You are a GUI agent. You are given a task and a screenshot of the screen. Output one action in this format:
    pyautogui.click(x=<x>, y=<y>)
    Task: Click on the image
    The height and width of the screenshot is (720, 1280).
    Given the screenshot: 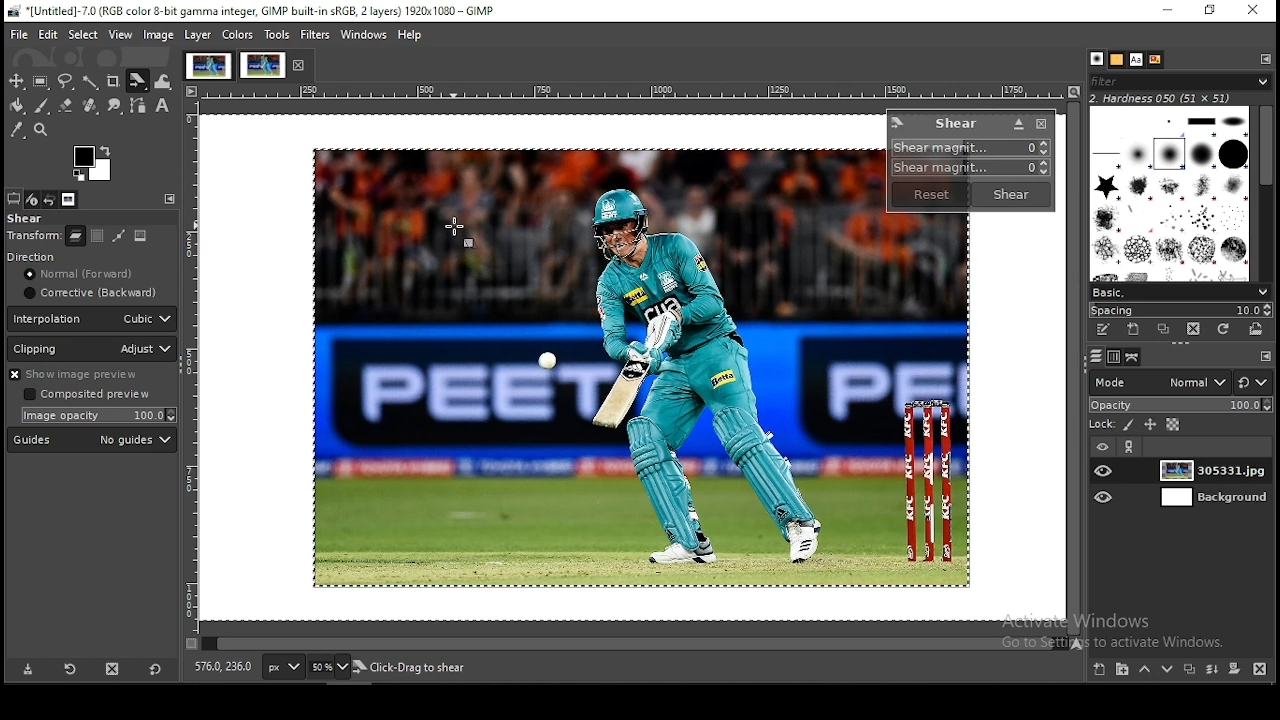 What is the action you would take?
    pyautogui.click(x=140, y=235)
    